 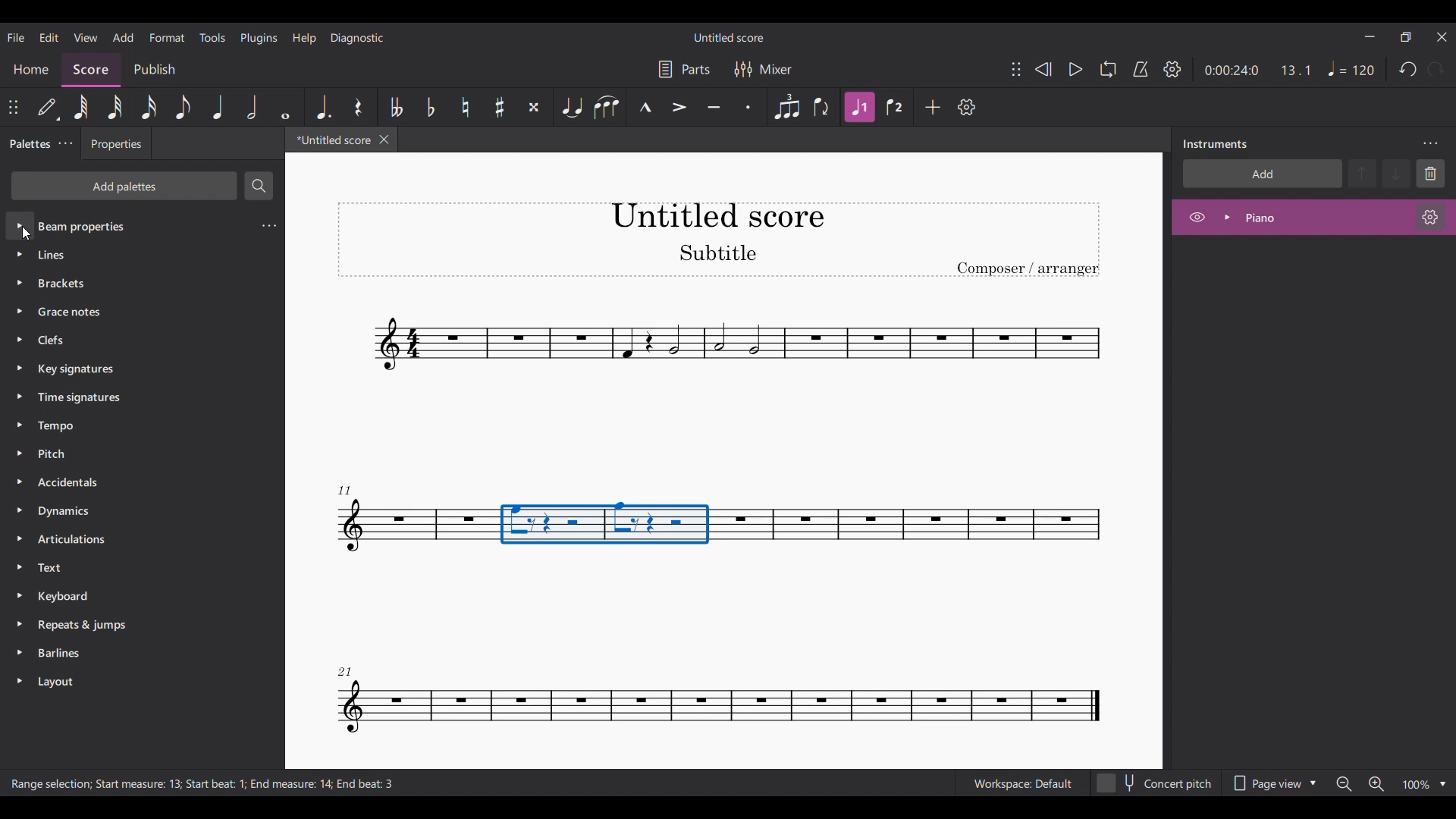 I want to click on Playback settings, so click(x=1172, y=69).